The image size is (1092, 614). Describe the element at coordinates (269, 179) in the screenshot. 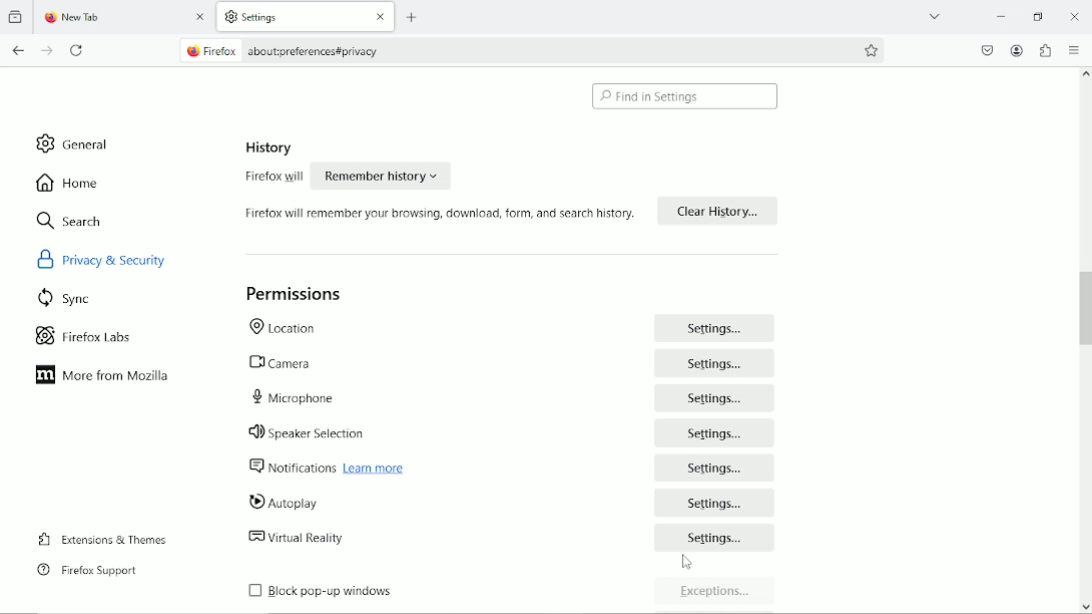

I see `firefox will` at that location.